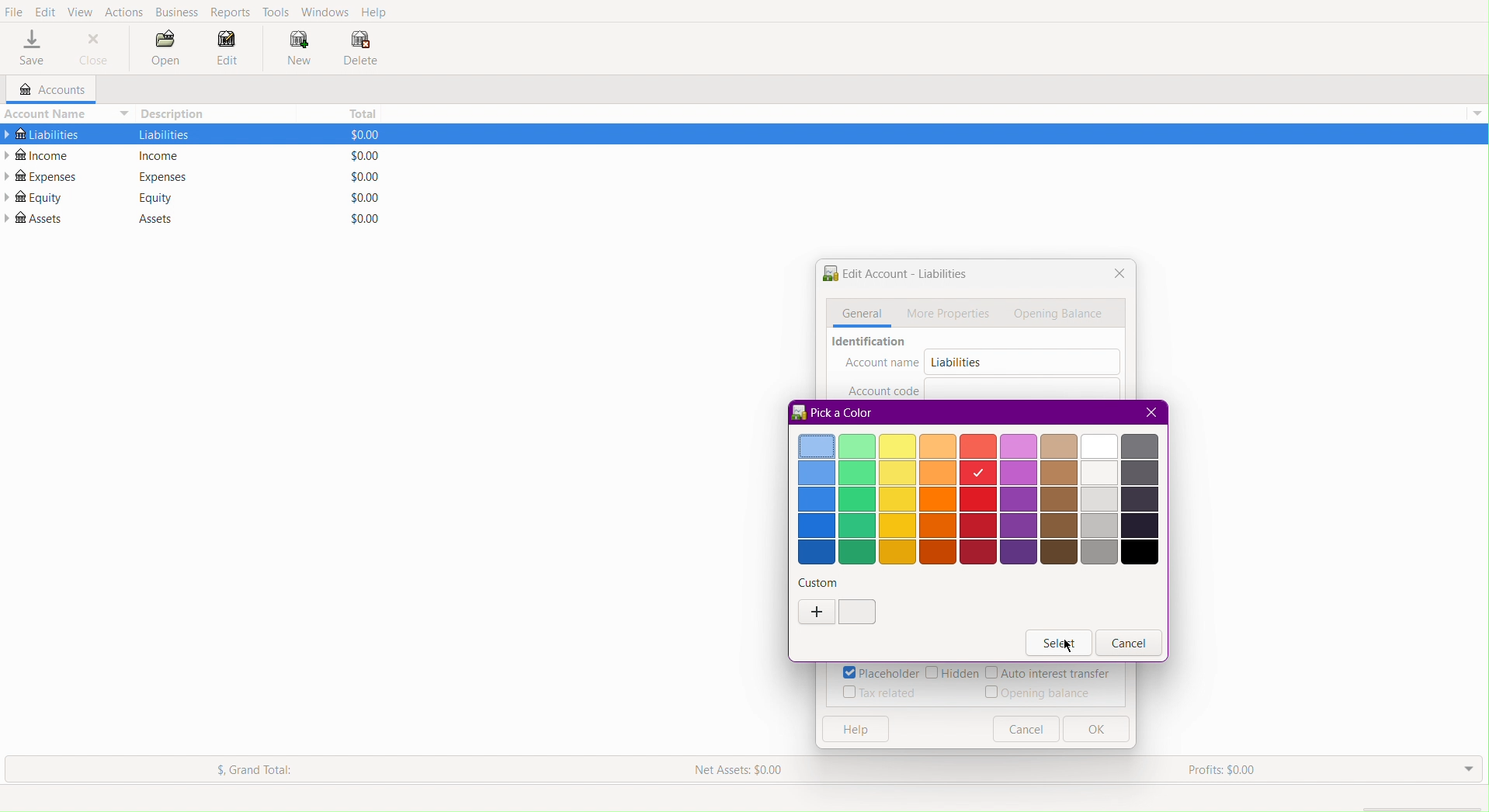  I want to click on Help, so click(853, 730).